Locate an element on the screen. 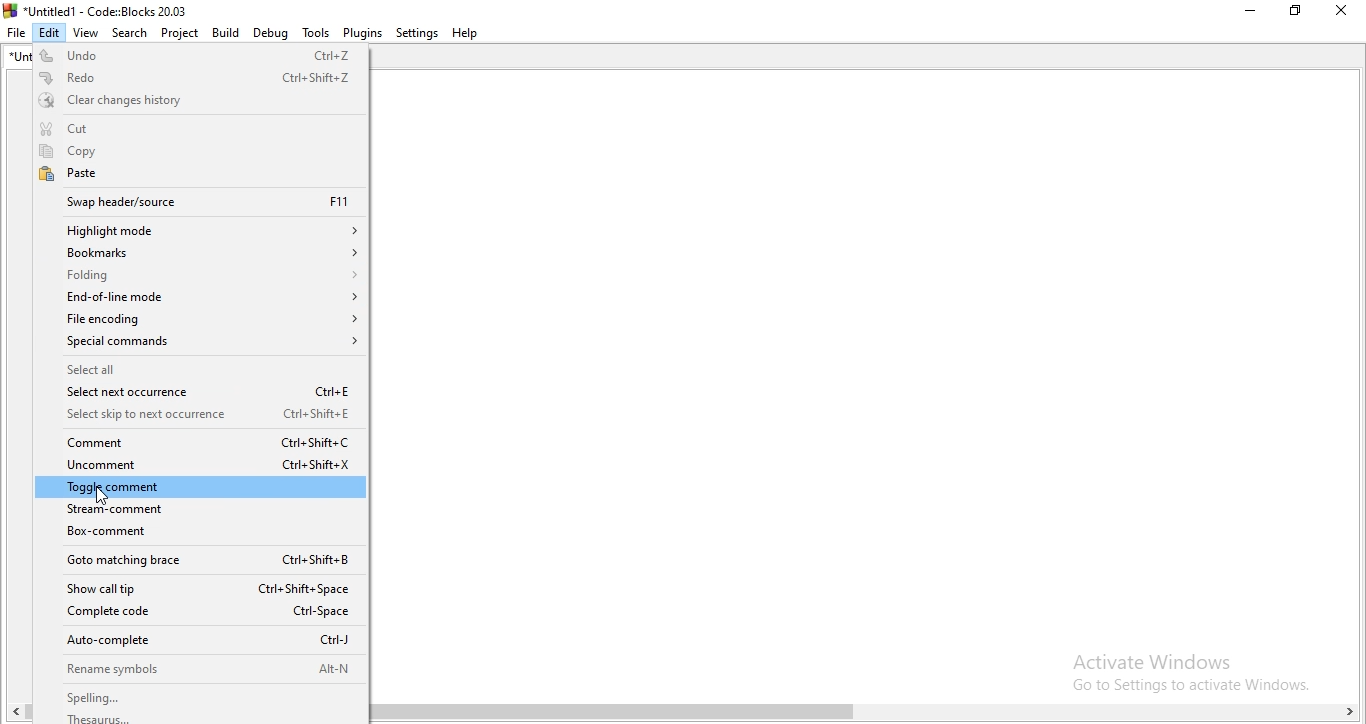 The width and height of the screenshot is (1366, 724). Special commands is located at coordinates (197, 341).